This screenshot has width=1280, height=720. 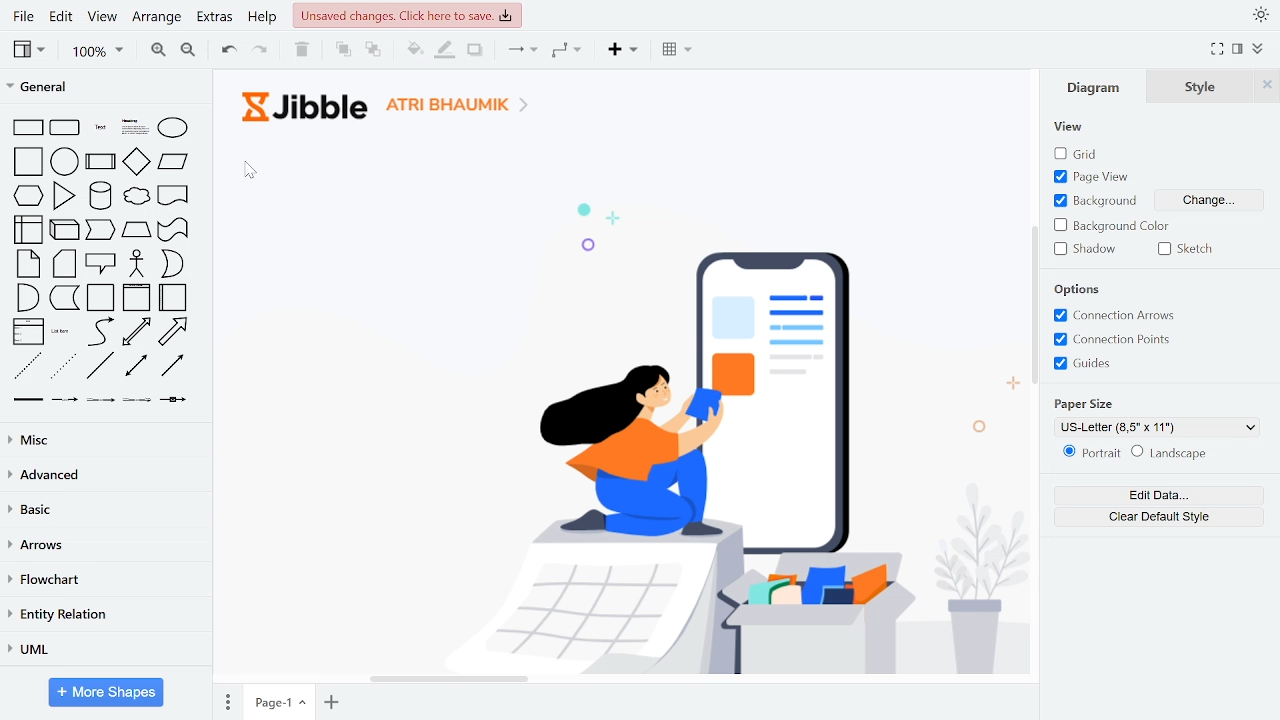 I want to click on arrows, so click(x=104, y=547).